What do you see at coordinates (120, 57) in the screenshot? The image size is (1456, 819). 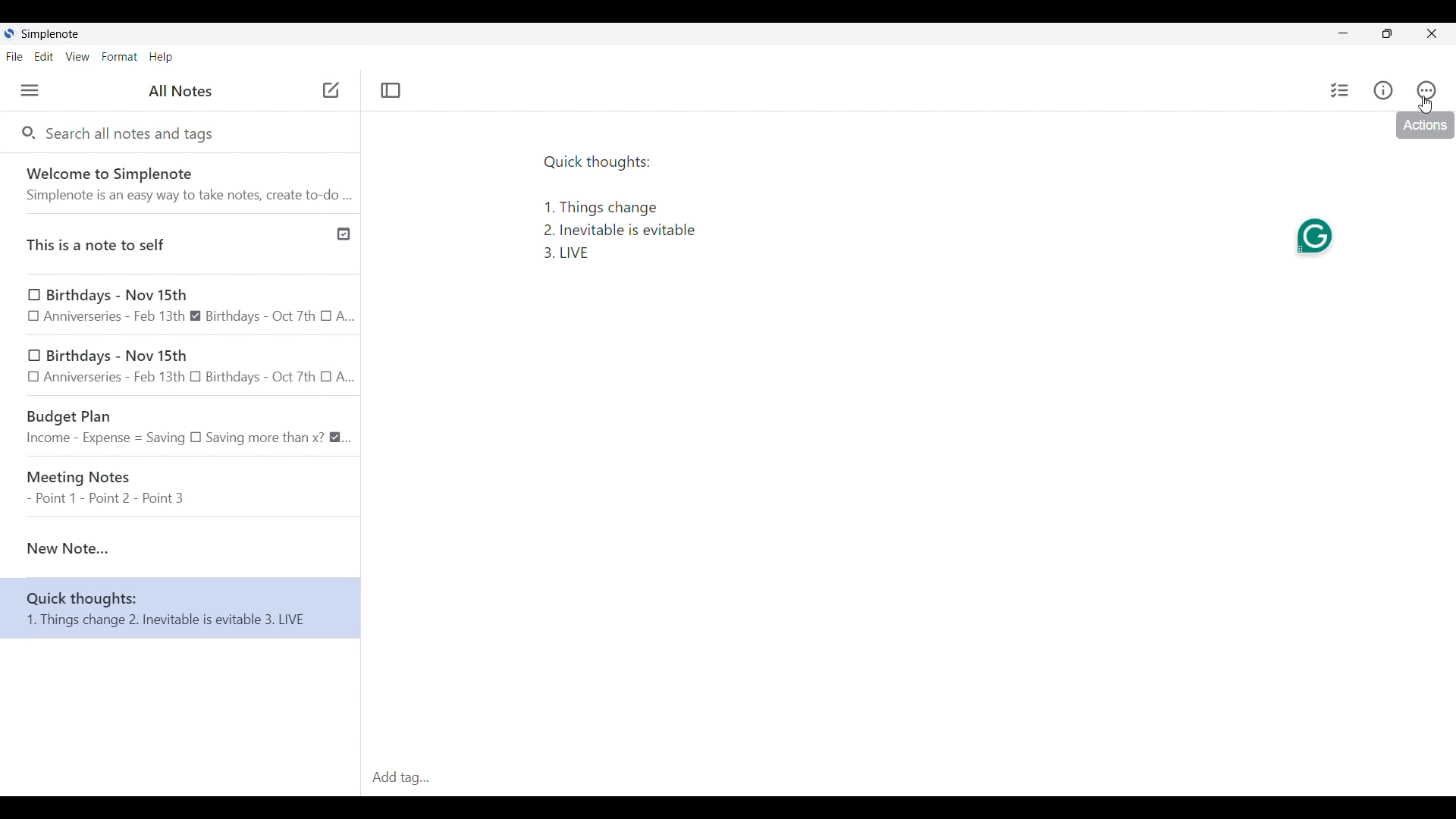 I see `Format menu` at bounding box center [120, 57].